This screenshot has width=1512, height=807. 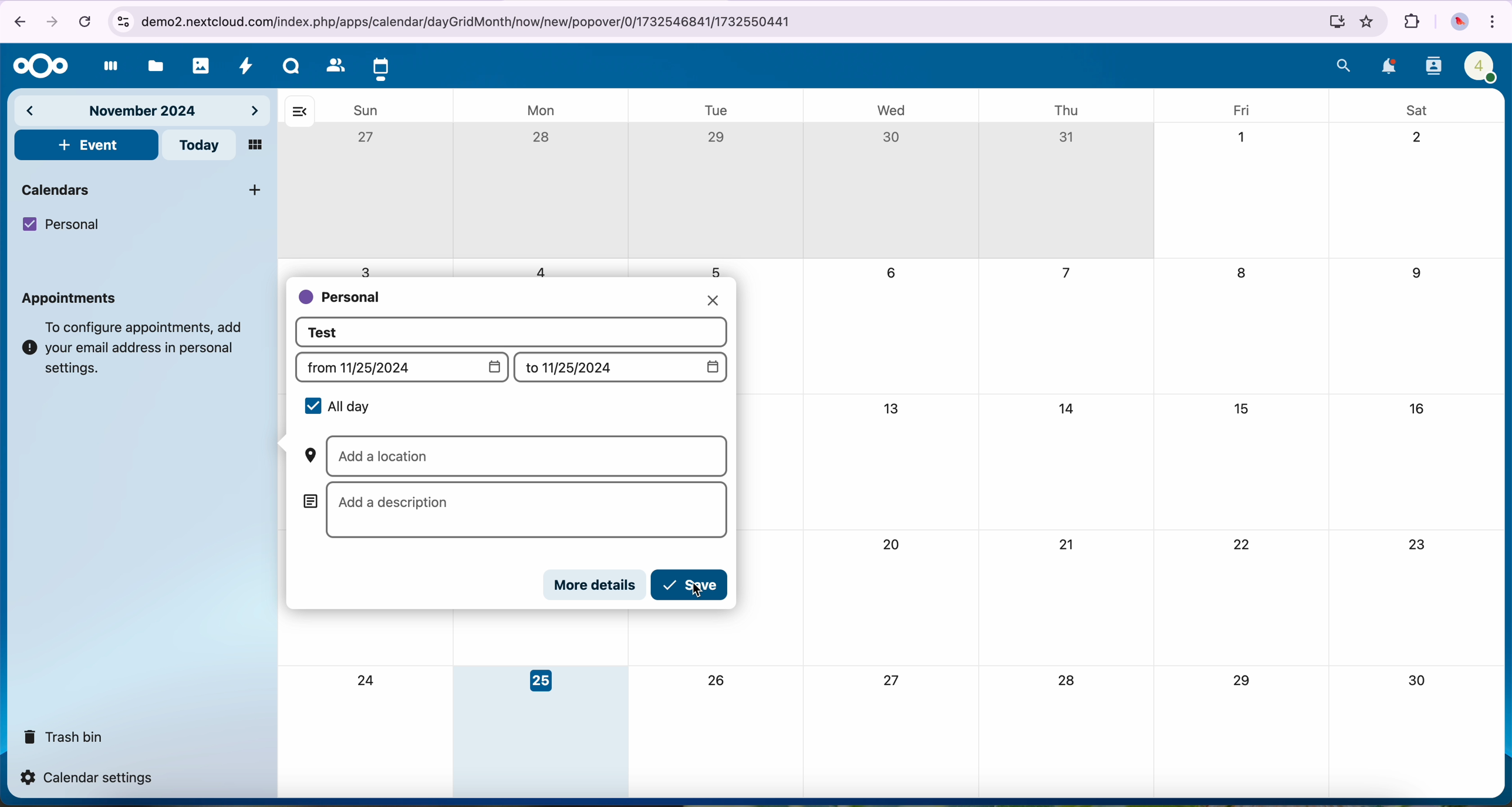 What do you see at coordinates (249, 66) in the screenshot?
I see `activity` at bounding box center [249, 66].